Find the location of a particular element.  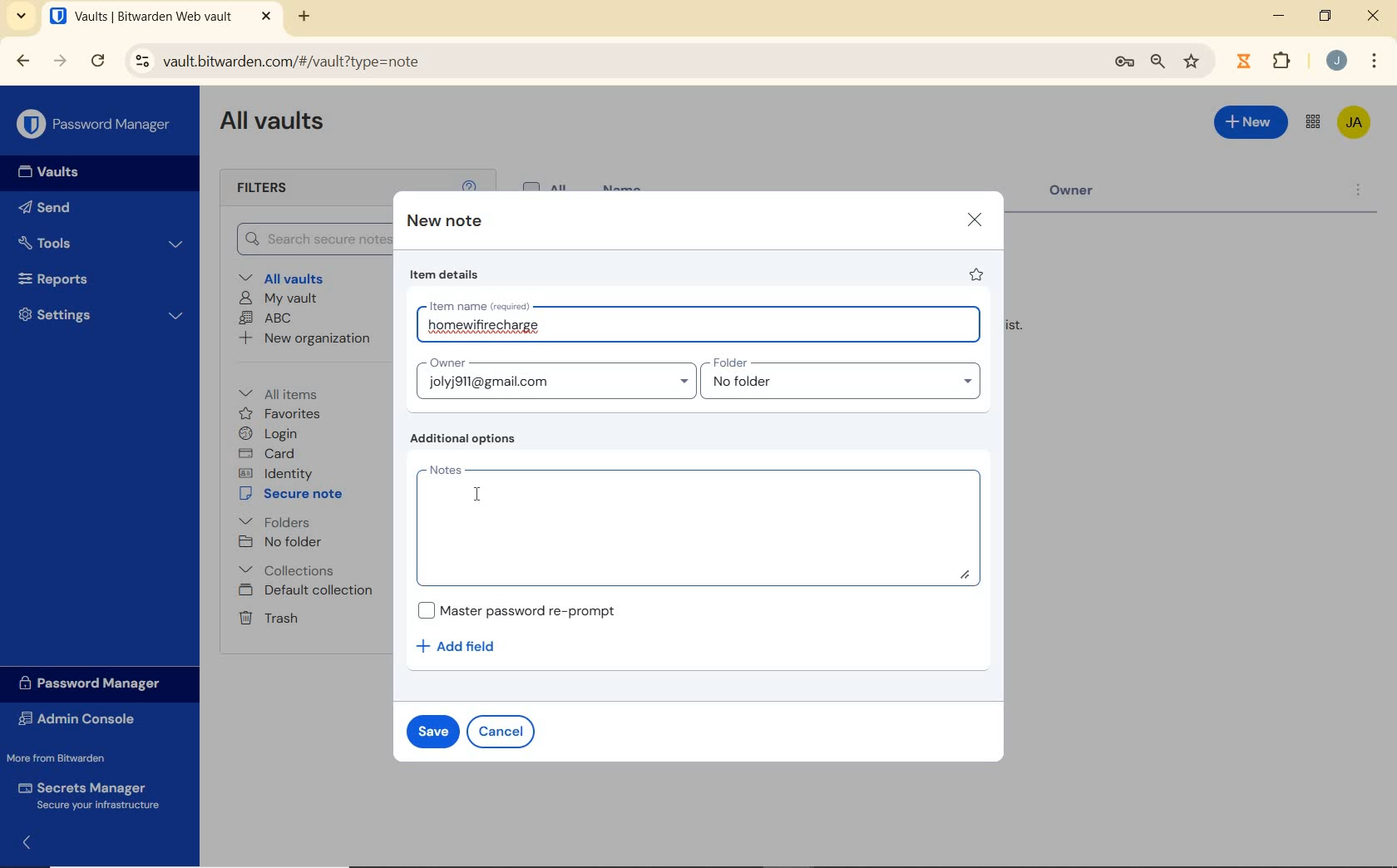

Reports is located at coordinates (95, 277).